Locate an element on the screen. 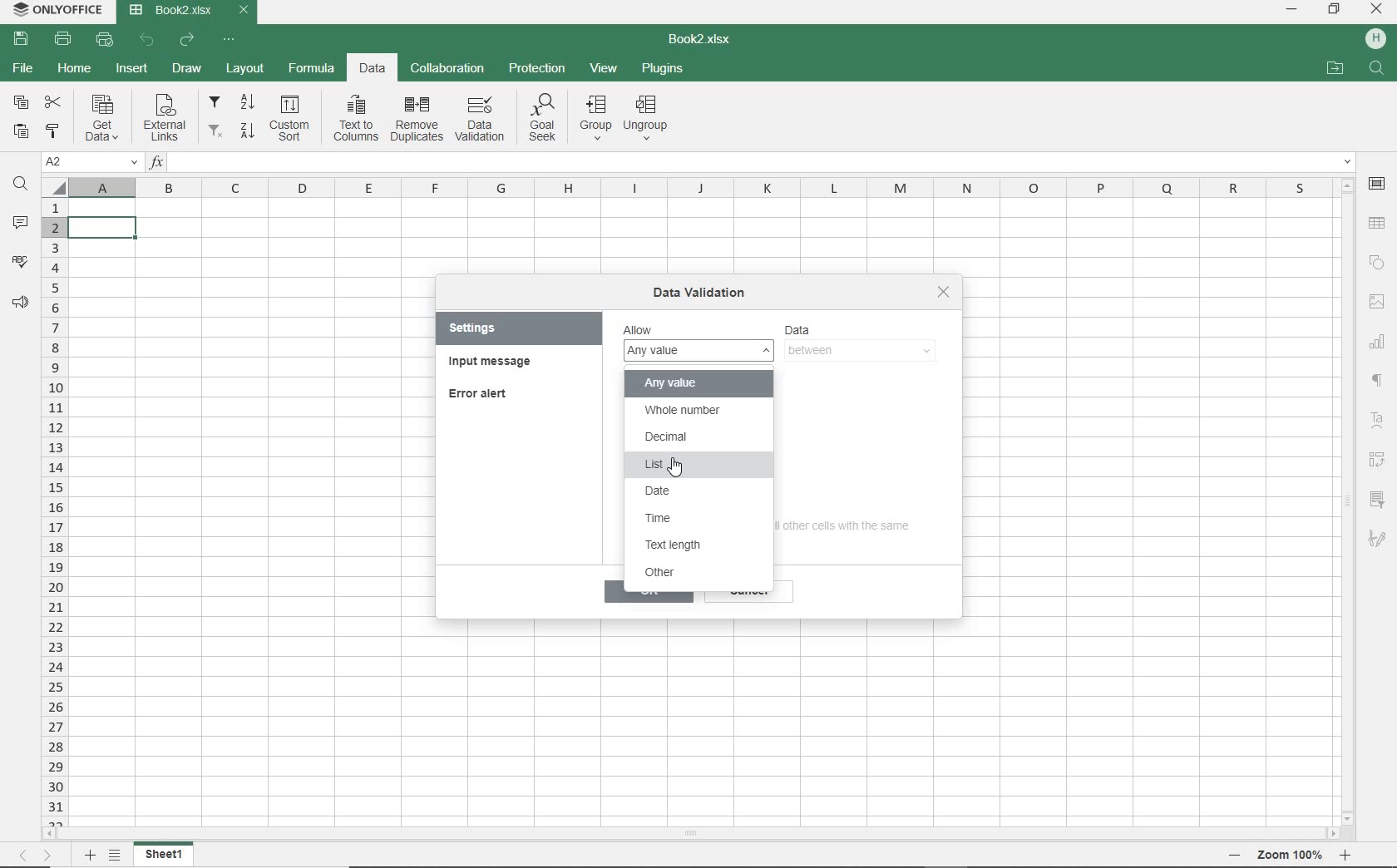 This screenshot has width=1397, height=868. CLOSE is located at coordinates (1375, 10).